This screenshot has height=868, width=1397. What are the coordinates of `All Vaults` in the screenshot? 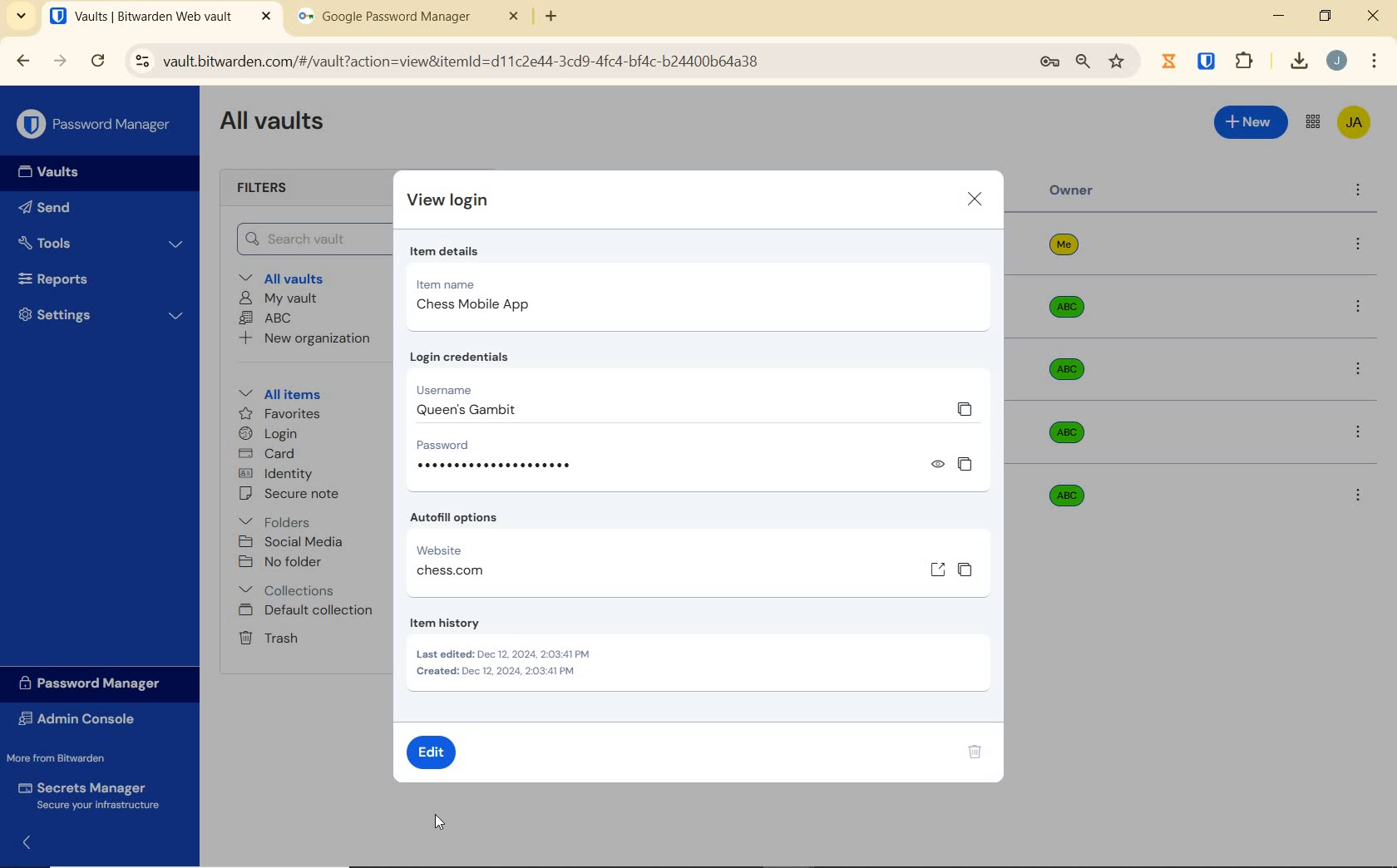 It's located at (276, 123).